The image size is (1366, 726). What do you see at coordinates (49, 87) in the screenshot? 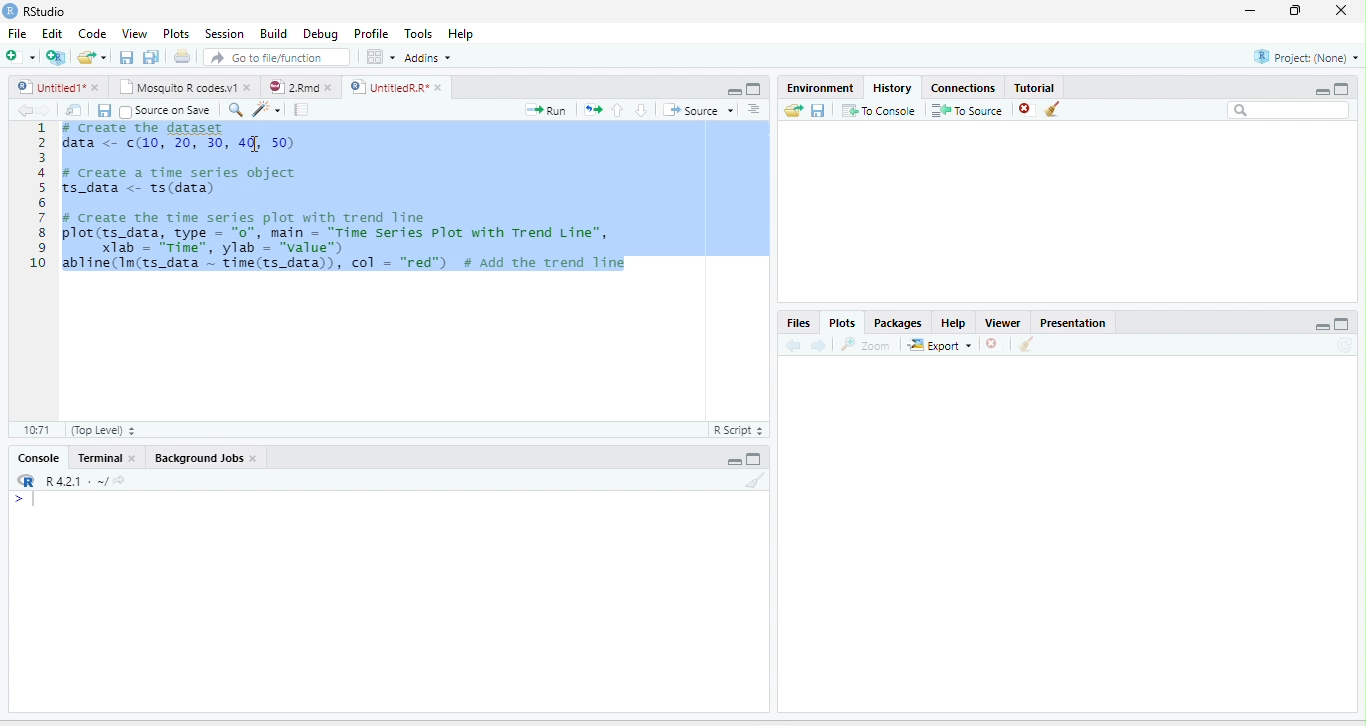
I see `Untitled1*` at bounding box center [49, 87].